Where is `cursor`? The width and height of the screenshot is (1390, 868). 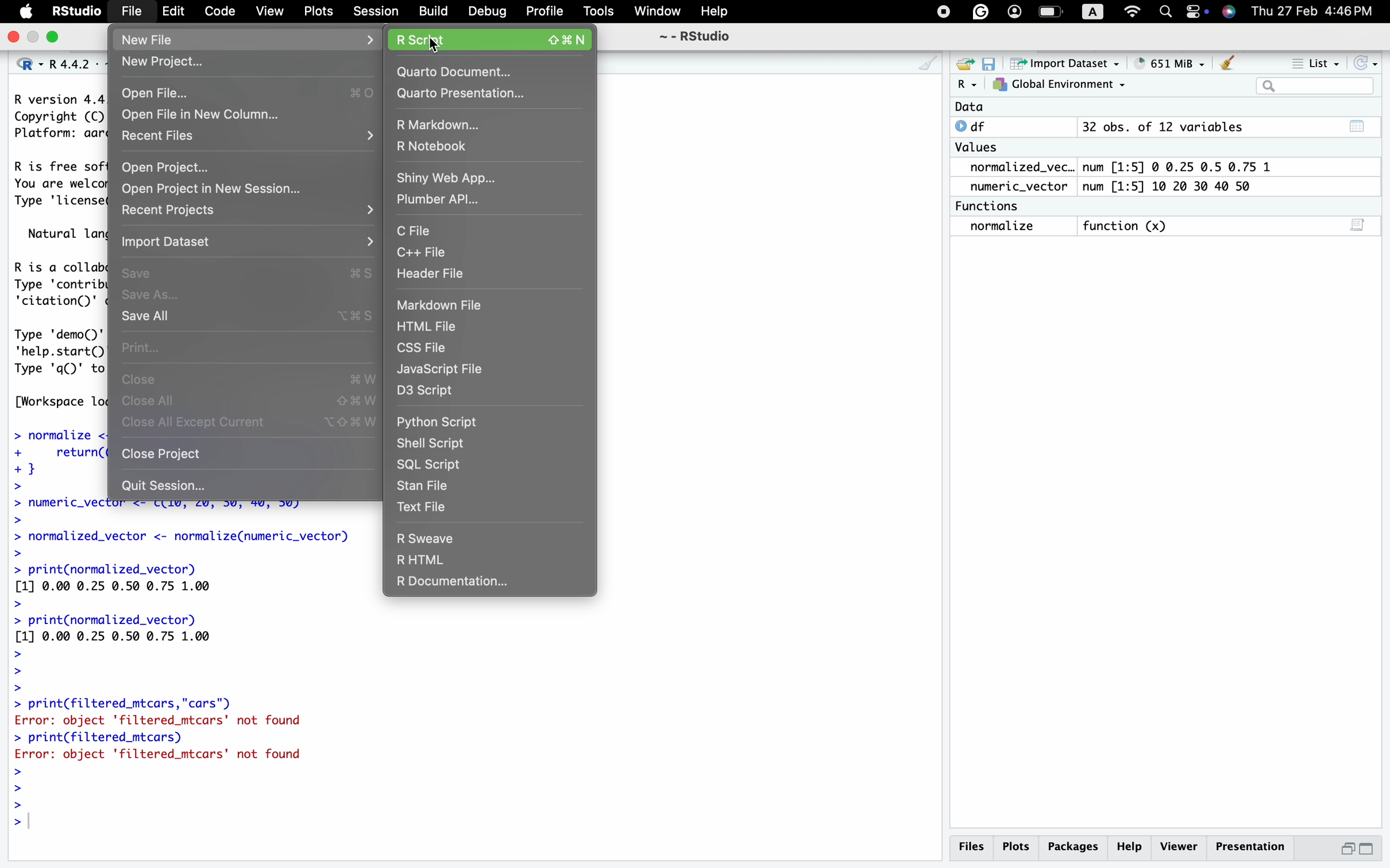 cursor is located at coordinates (431, 47).